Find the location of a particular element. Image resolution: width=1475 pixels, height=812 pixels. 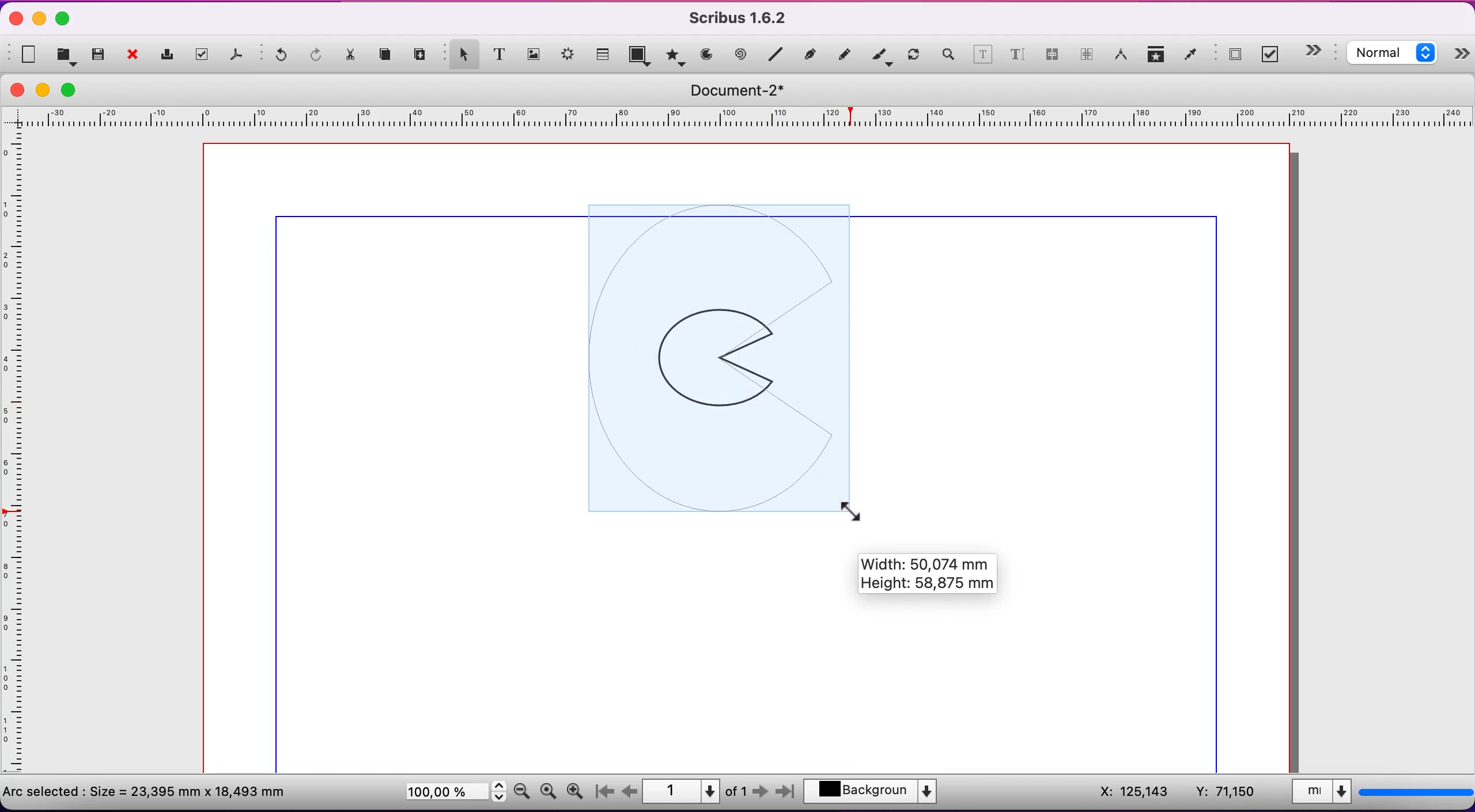

preflight verifier is located at coordinates (205, 55).